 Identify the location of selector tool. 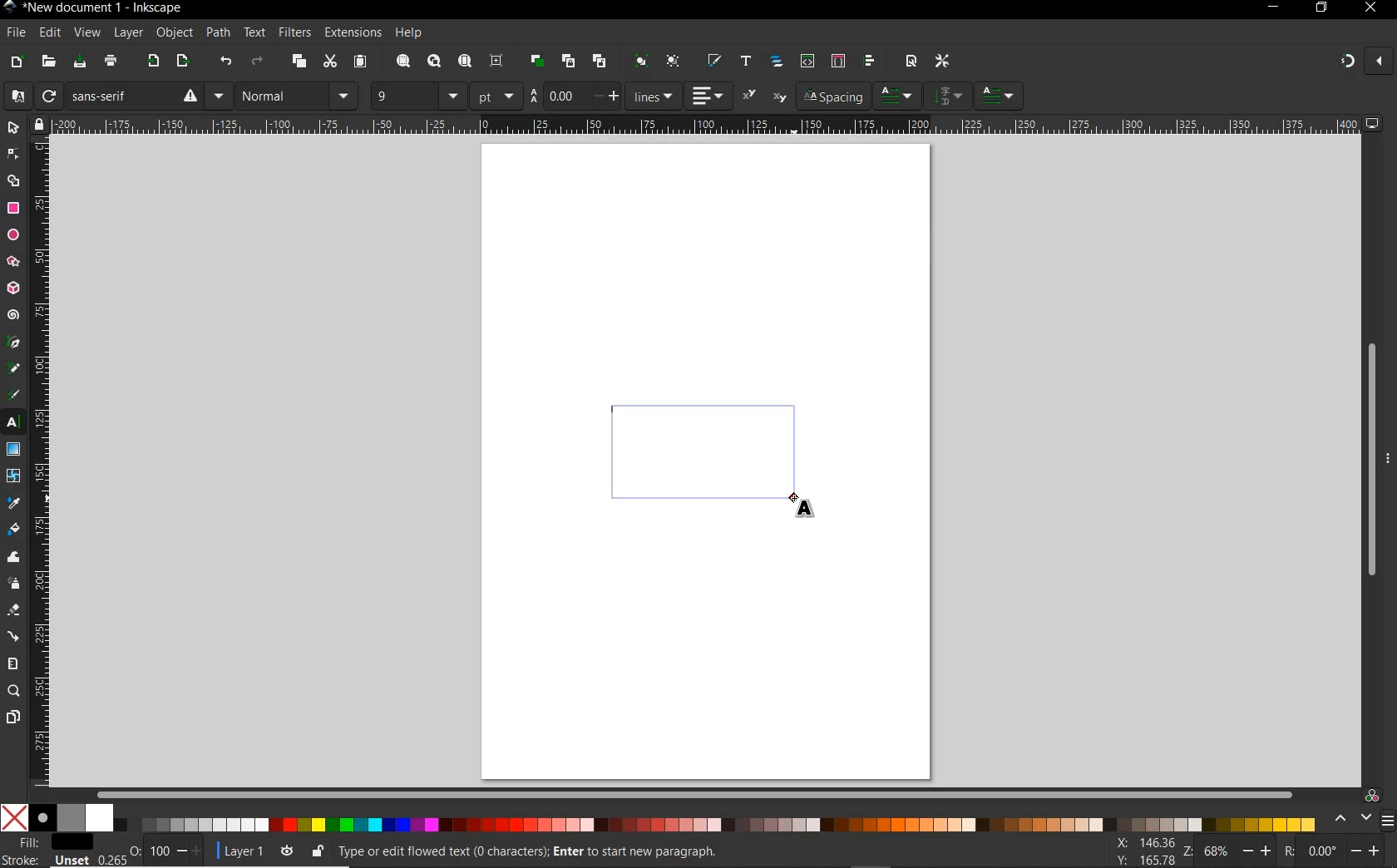
(13, 127).